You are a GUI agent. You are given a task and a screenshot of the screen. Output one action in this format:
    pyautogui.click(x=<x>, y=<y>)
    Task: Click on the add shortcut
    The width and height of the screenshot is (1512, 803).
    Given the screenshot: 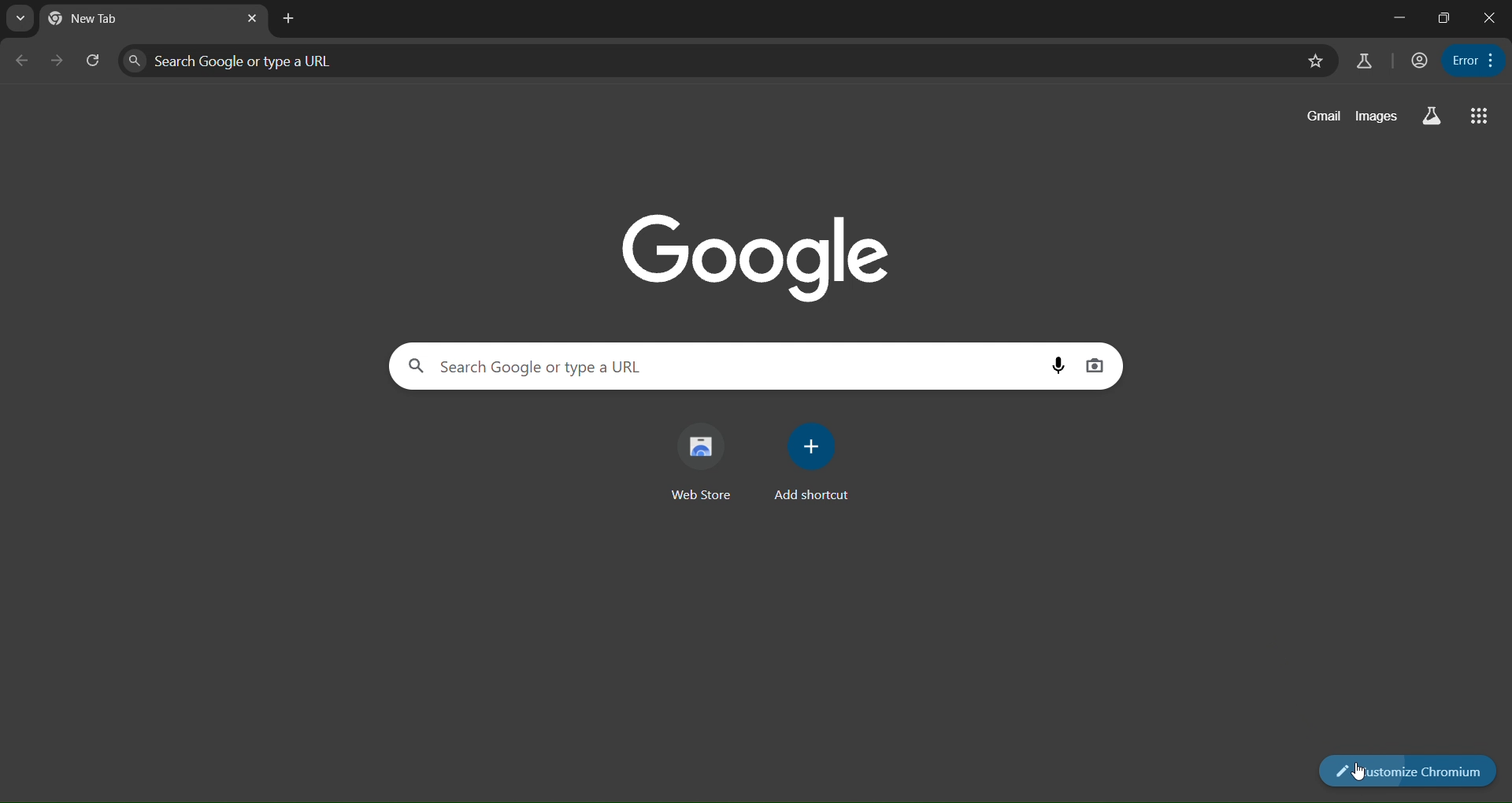 What is the action you would take?
    pyautogui.click(x=808, y=463)
    